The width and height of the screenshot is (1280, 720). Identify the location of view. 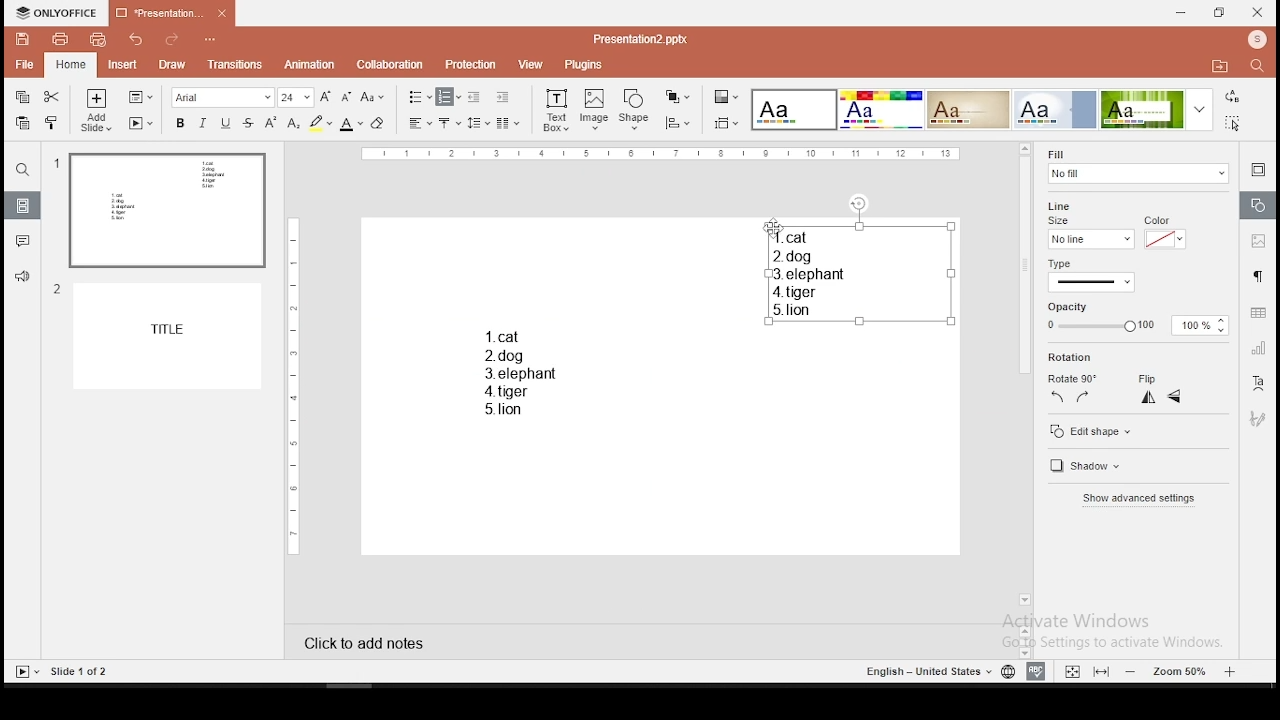
(530, 65).